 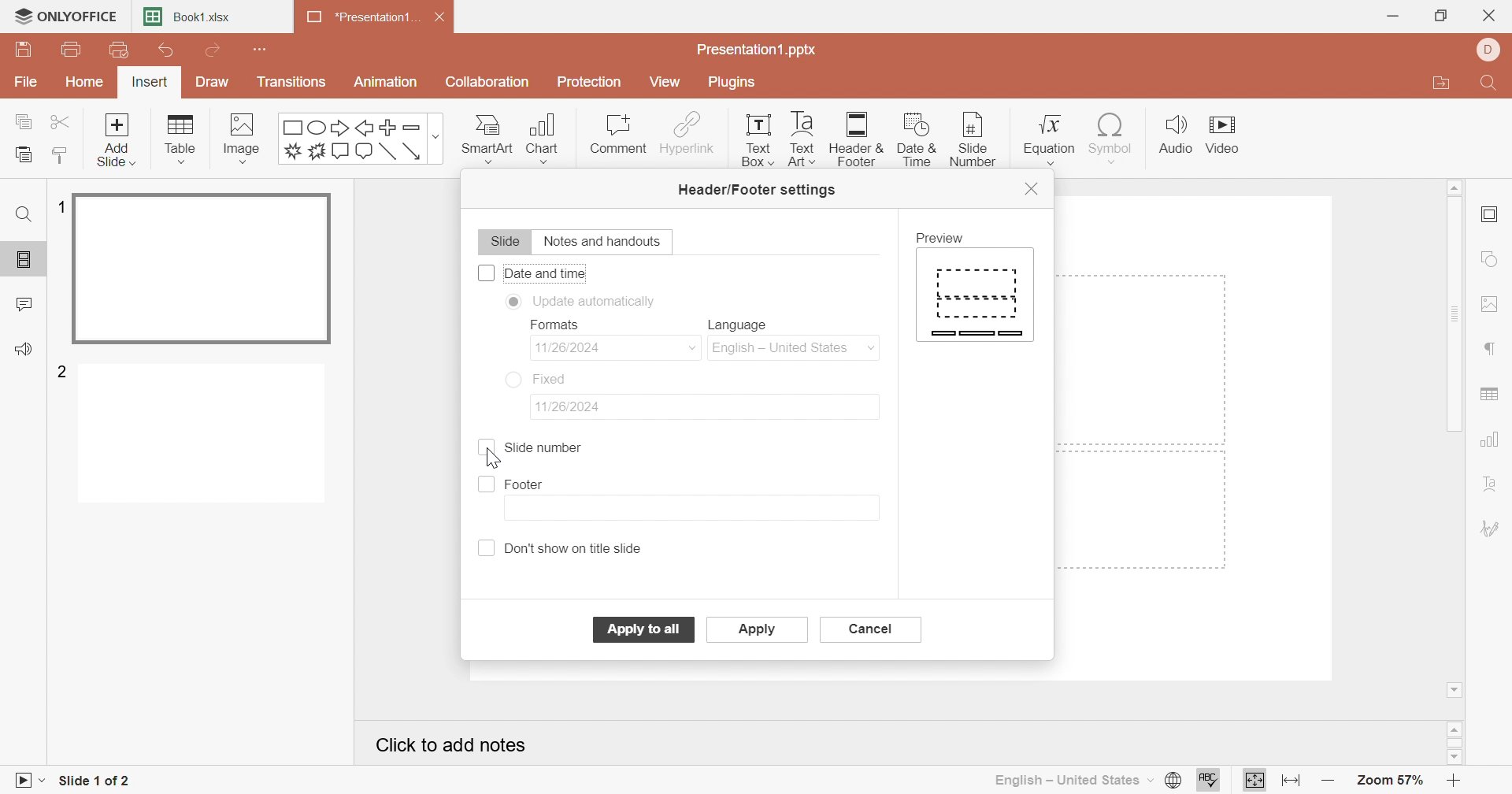 I want to click on Table settings, so click(x=1491, y=396).